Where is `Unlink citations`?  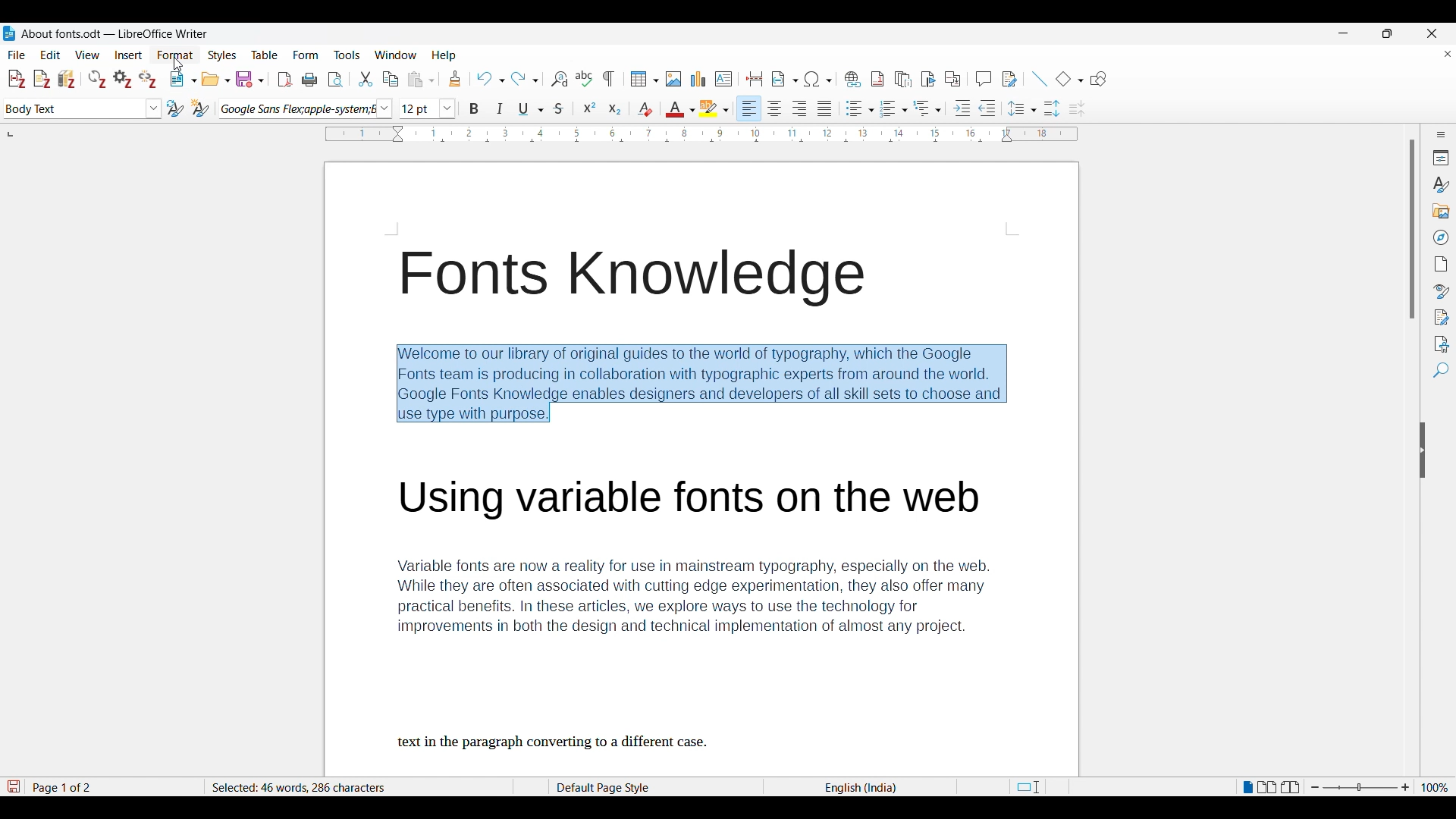 Unlink citations is located at coordinates (147, 79).